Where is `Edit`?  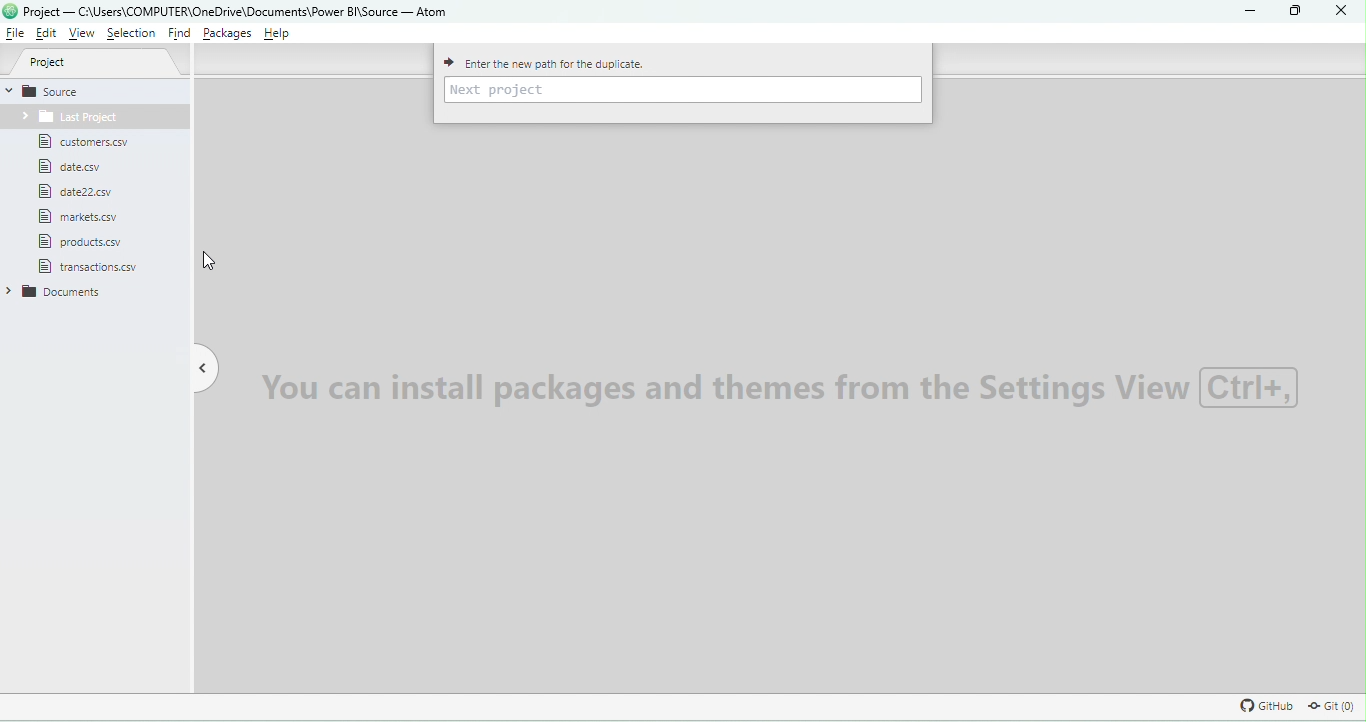
Edit is located at coordinates (46, 35).